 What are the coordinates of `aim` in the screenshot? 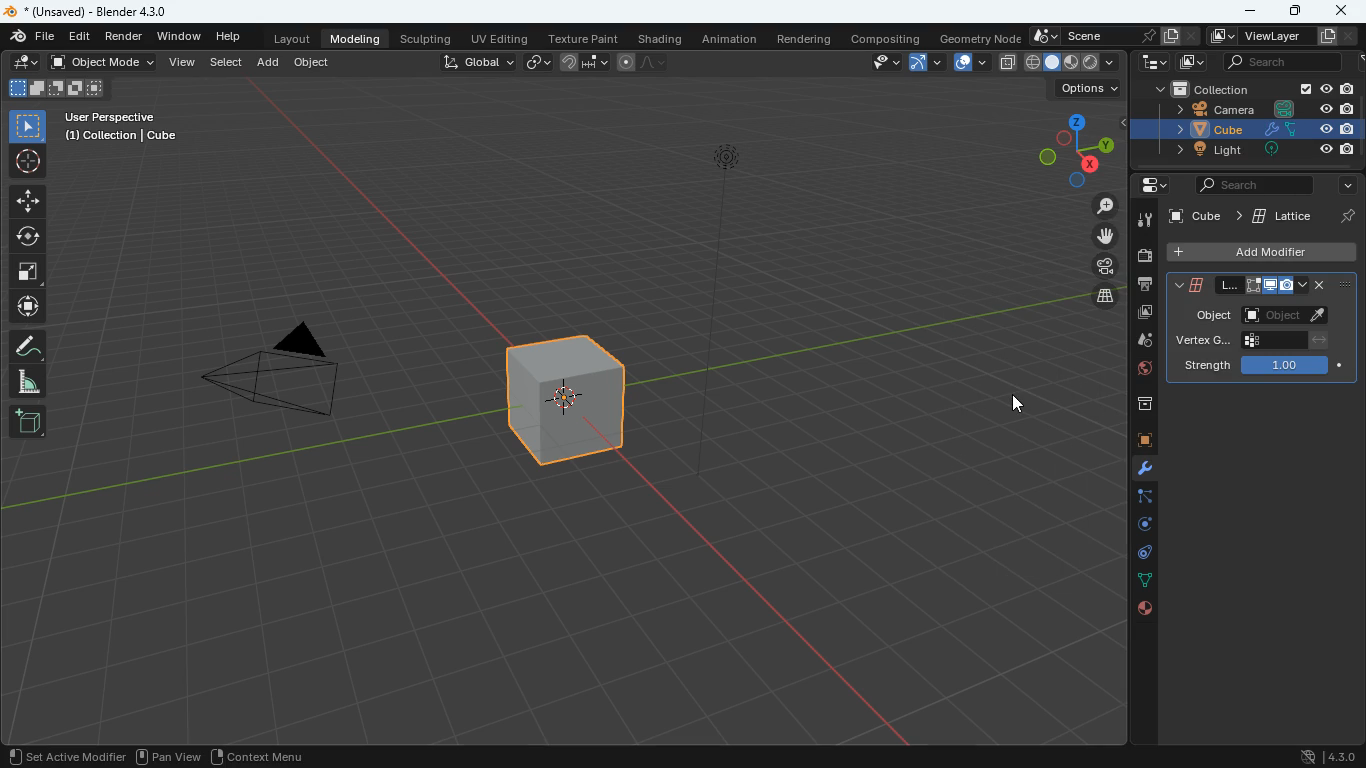 It's located at (27, 161).